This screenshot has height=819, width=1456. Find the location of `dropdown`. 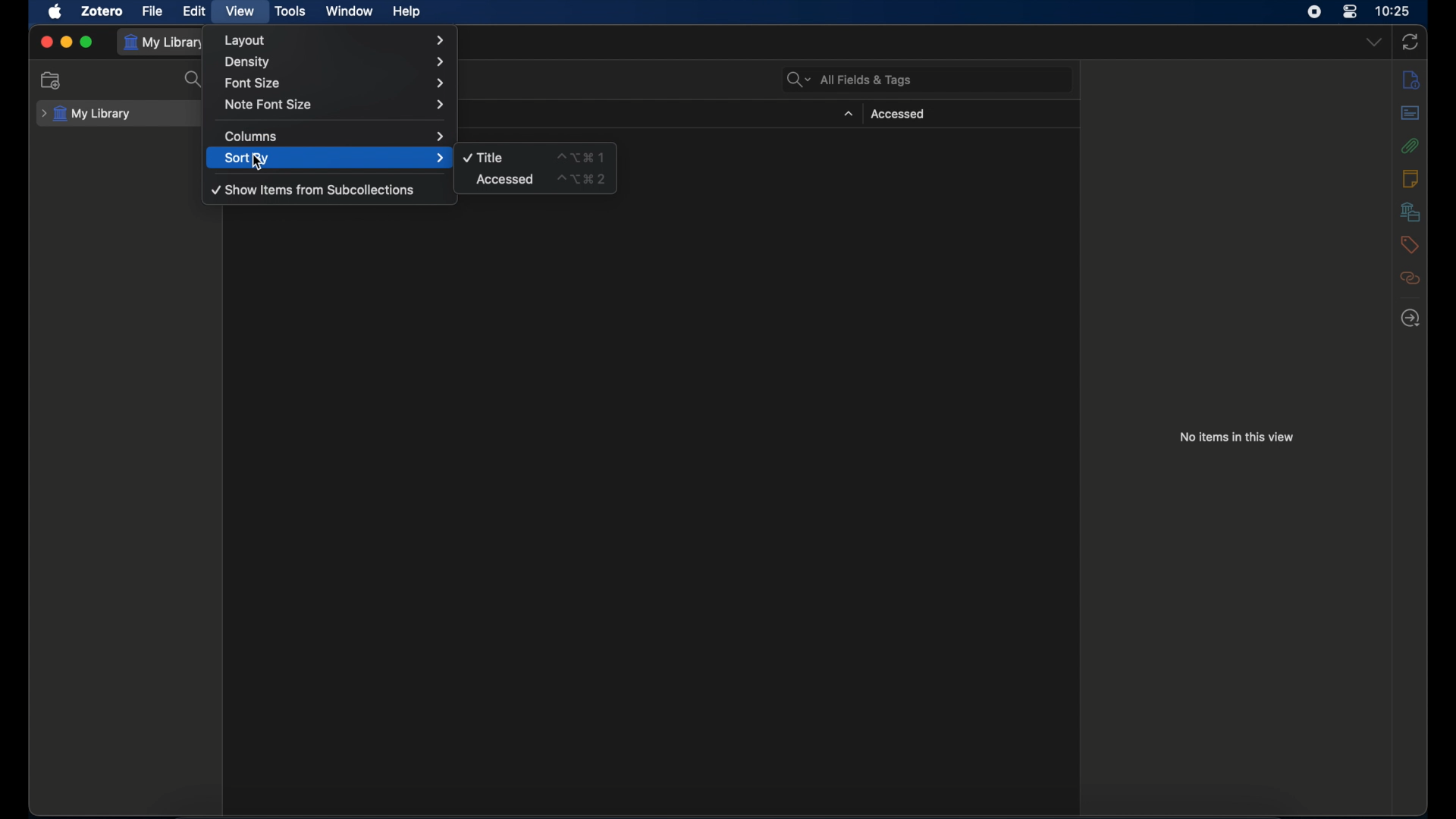

dropdown is located at coordinates (847, 114).